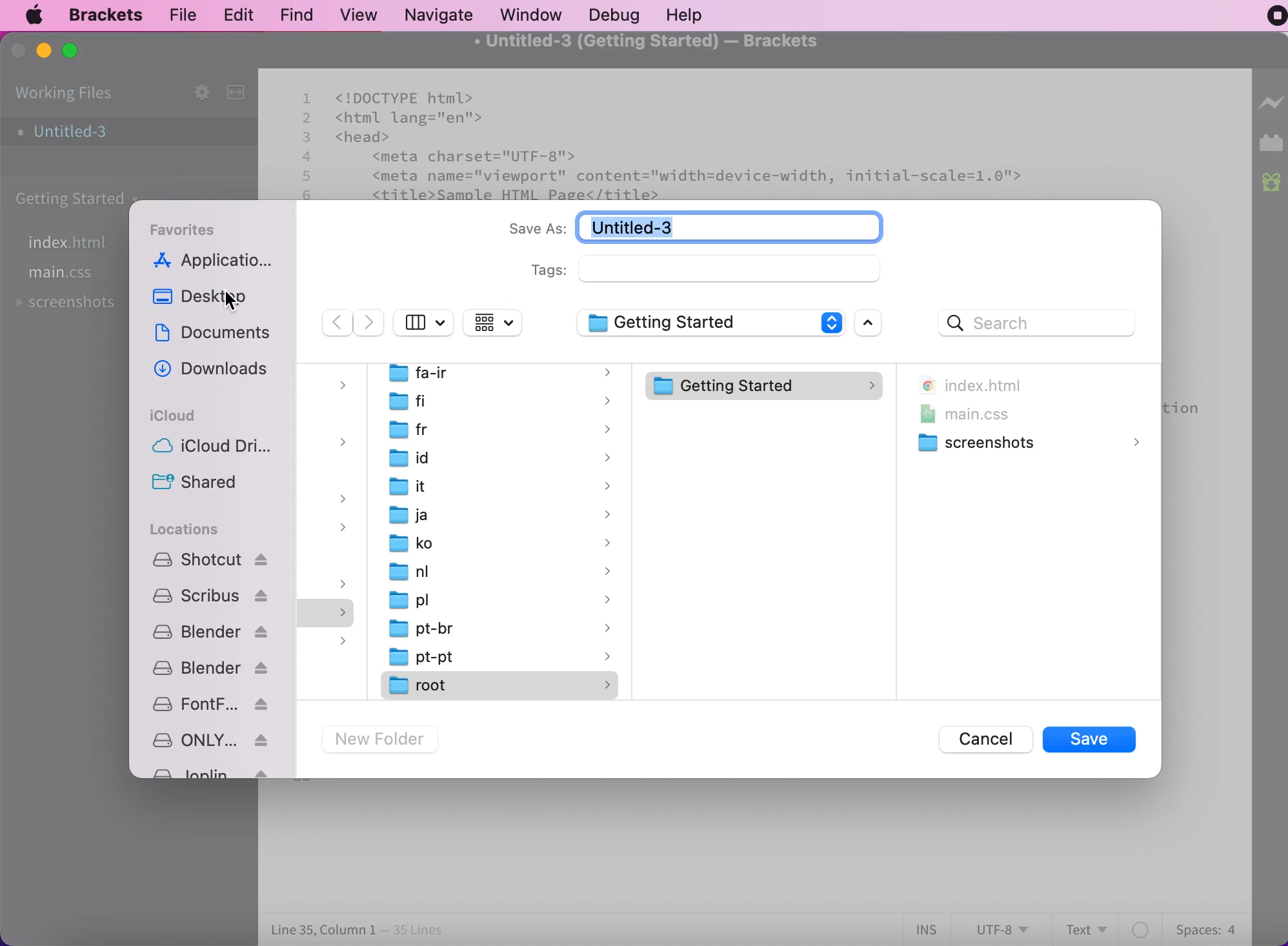  I want to click on search, so click(1038, 325).